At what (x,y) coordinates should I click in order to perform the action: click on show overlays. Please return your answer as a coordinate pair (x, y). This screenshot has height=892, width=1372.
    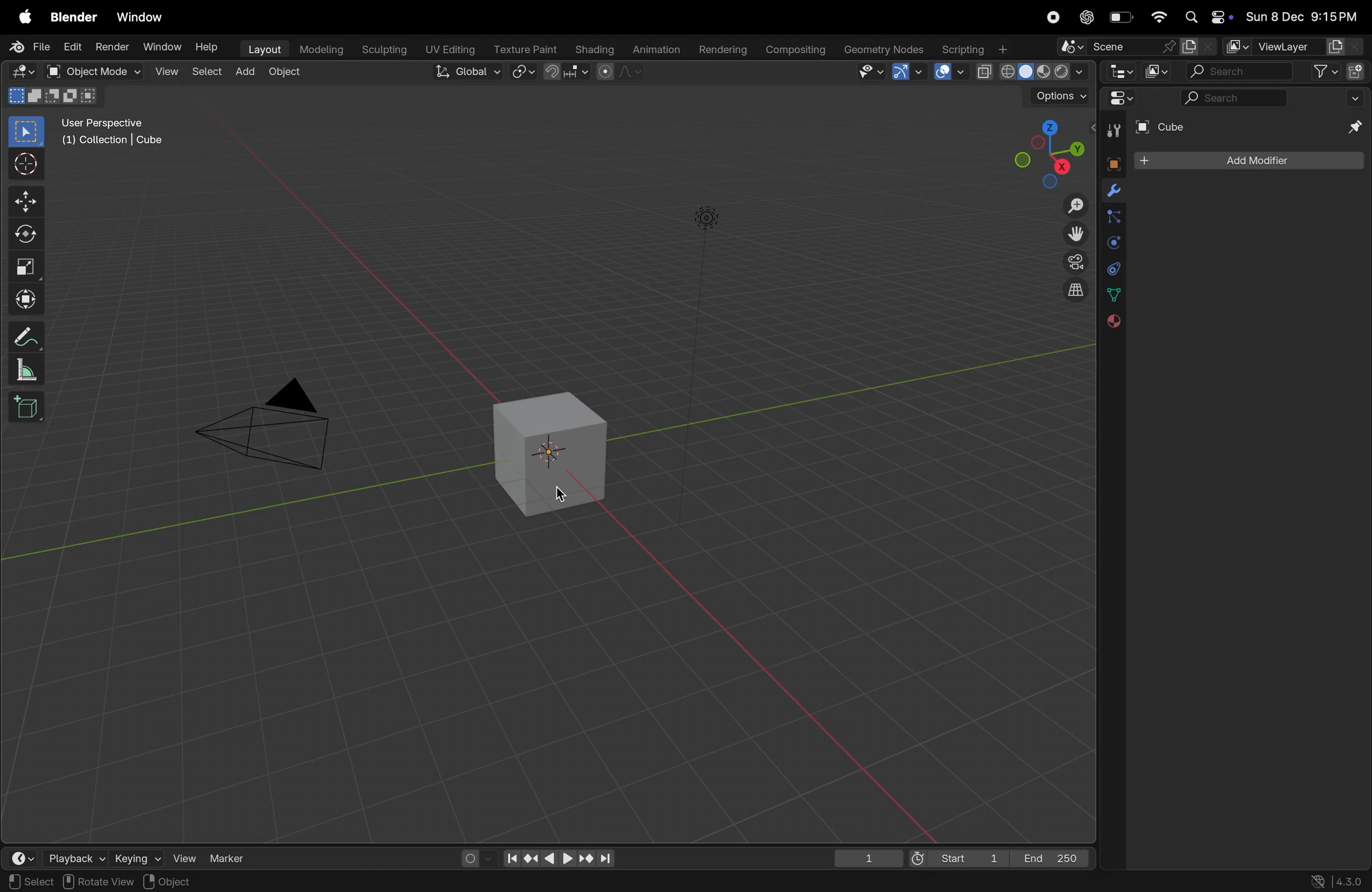
    Looking at the image, I should click on (949, 71).